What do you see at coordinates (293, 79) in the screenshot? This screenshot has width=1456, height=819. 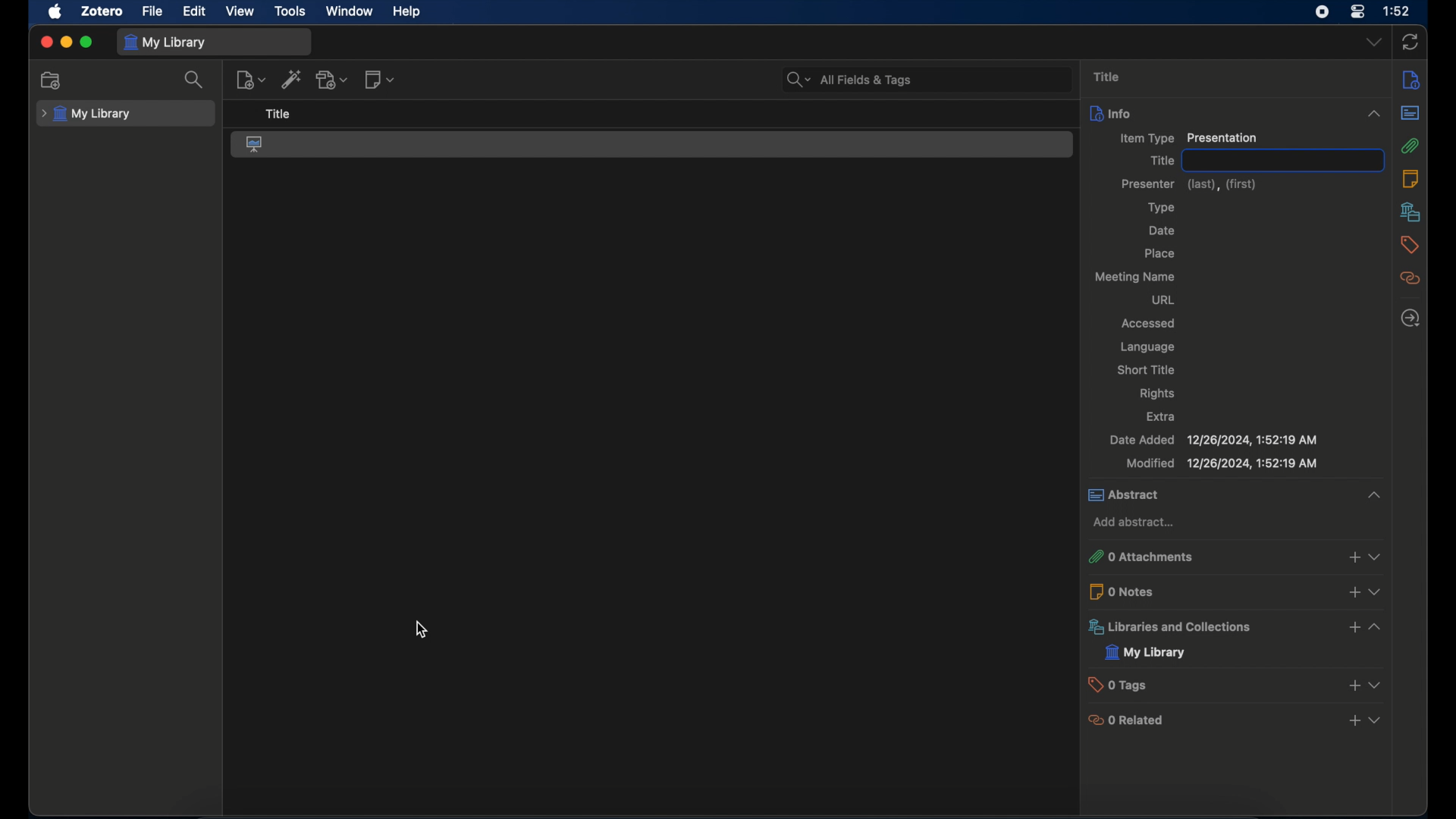 I see `add item by identifier` at bounding box center [293, 79].